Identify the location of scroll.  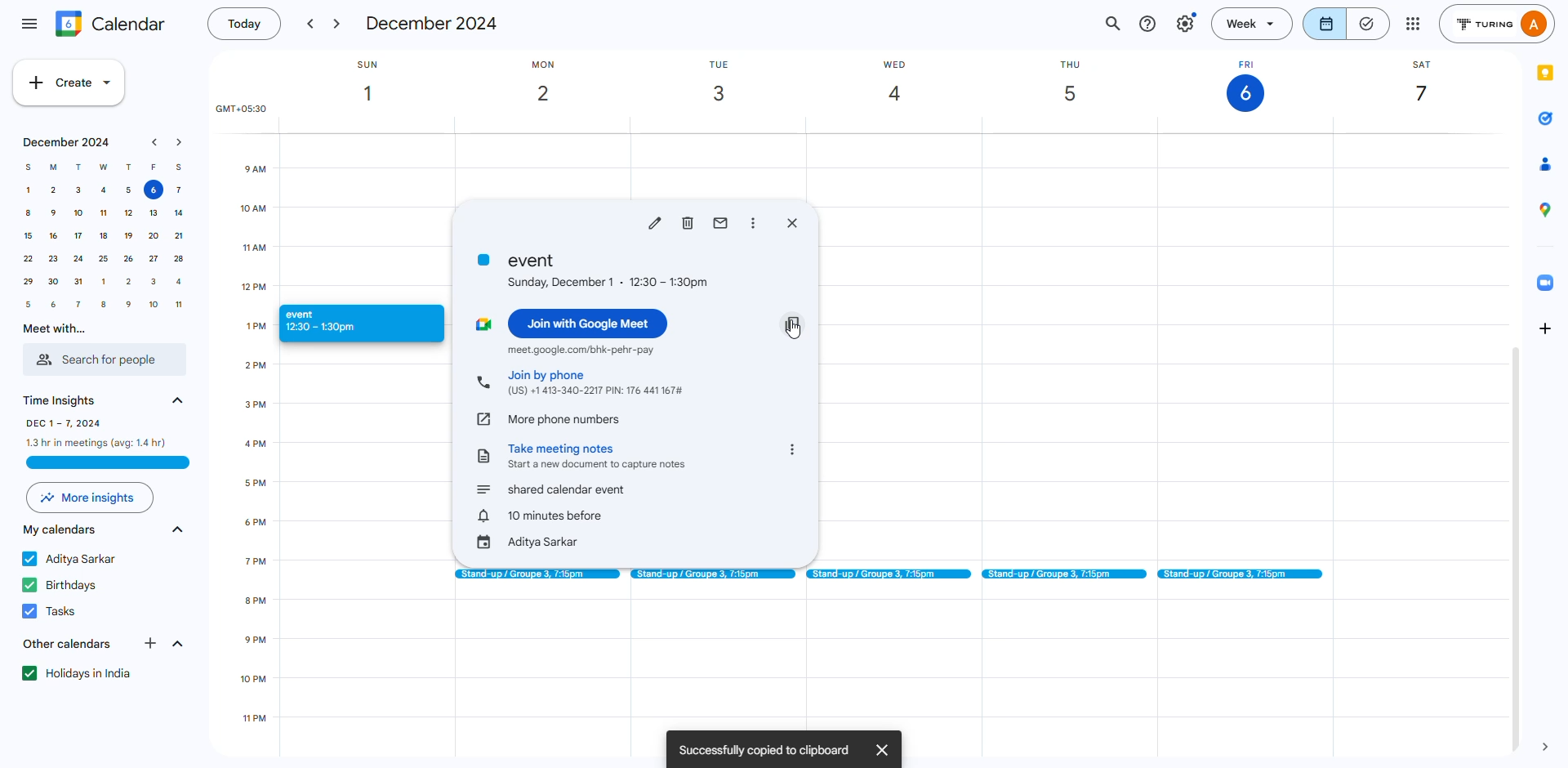
(1514, 549).